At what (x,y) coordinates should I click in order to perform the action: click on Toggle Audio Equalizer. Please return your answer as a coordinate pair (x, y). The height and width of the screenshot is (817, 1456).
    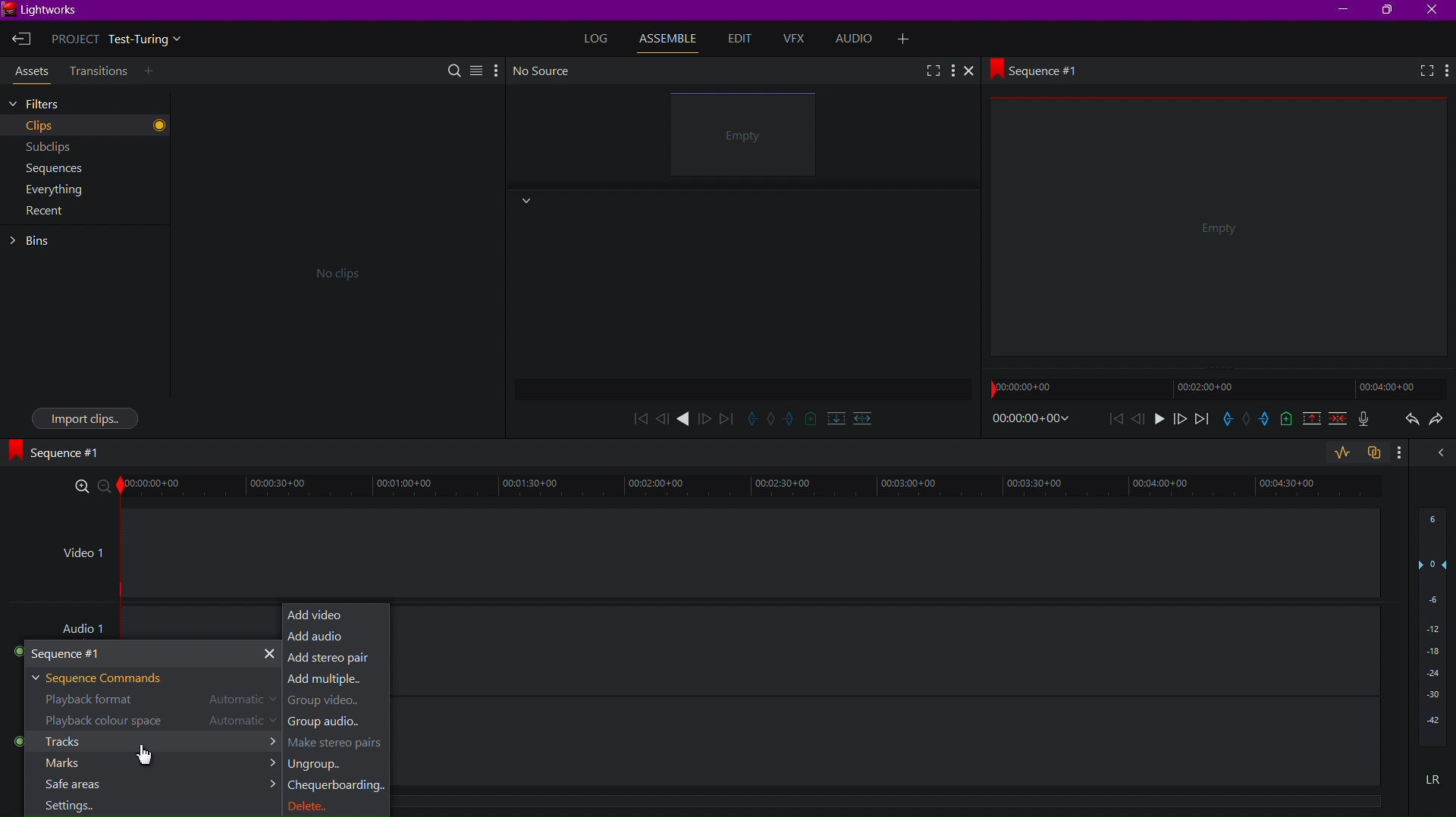
    Looking at the image, I should click on (1341, 453).